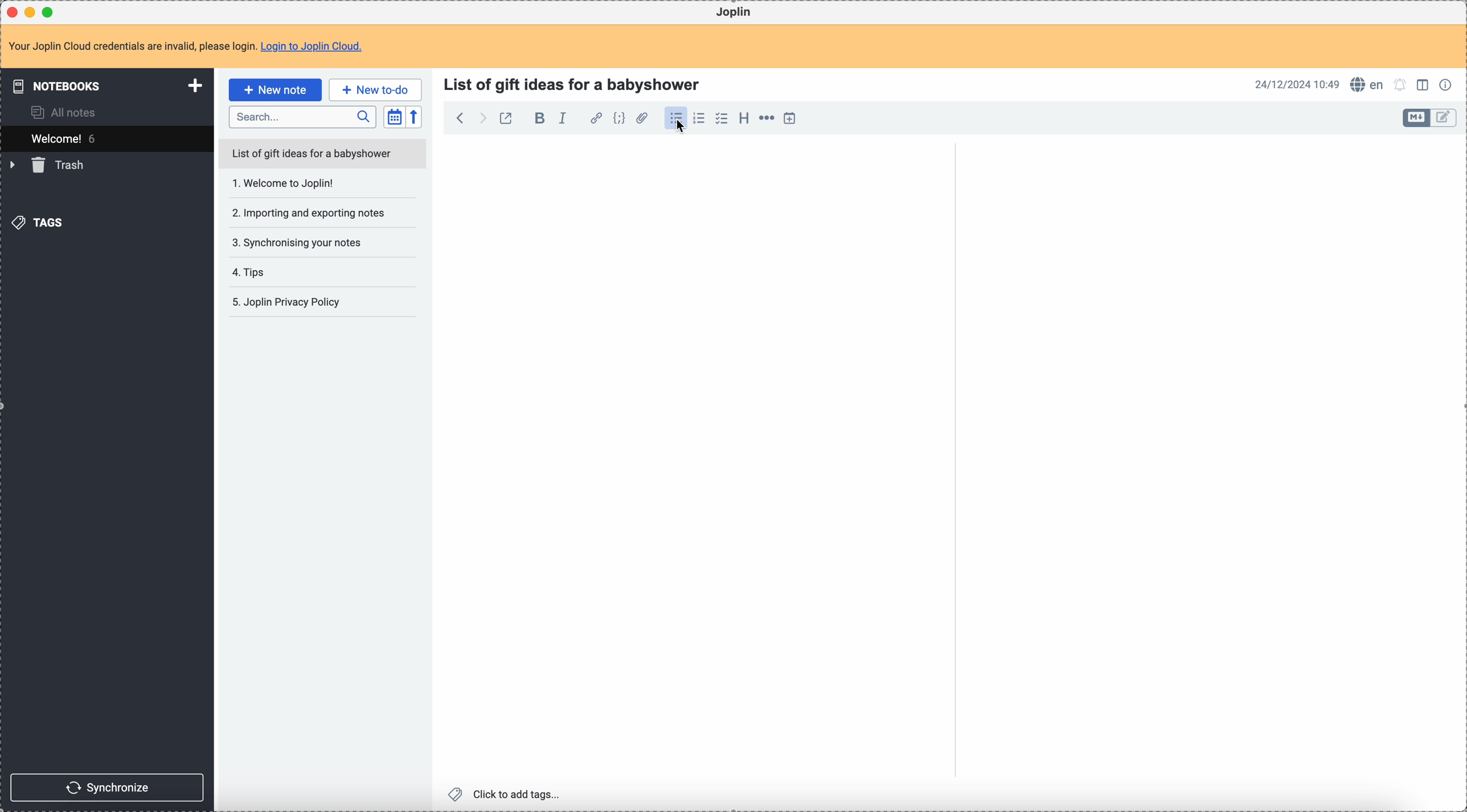 This screenshot has width=1467, height=812. Describe the element at coordinates (290, 304) in the screenshot. I see `joplin privacy policy` at that location.